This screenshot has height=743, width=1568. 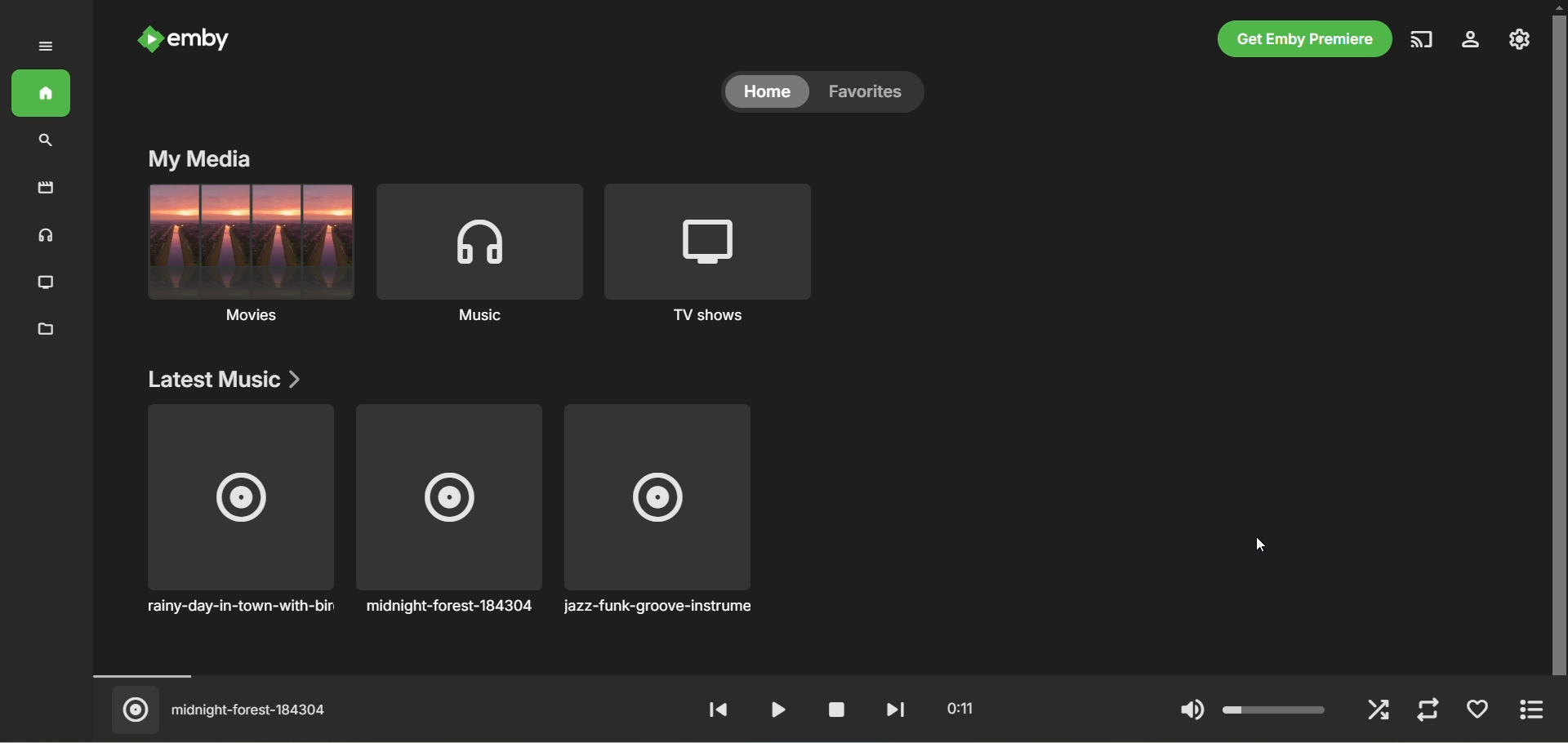 What do you see at coordinates (1538, 711) in the screenshot?
I see `options` at bounding box center [1538, 711].